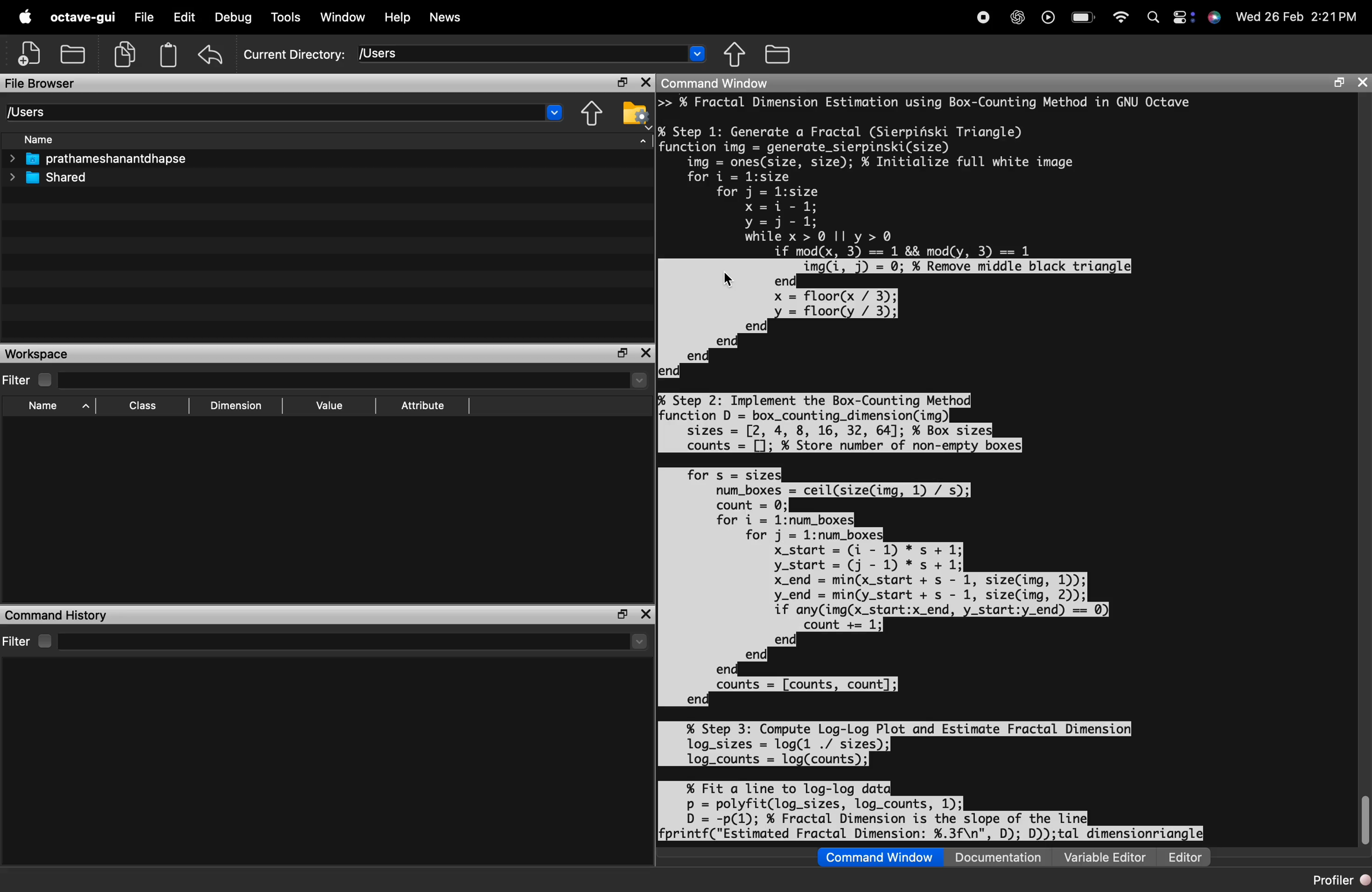 This screenshot has width=1372, height=892. What do you see at coordinates (46, 177) in the screenshot?
I see `Shared` at bounding box center [46, 177].